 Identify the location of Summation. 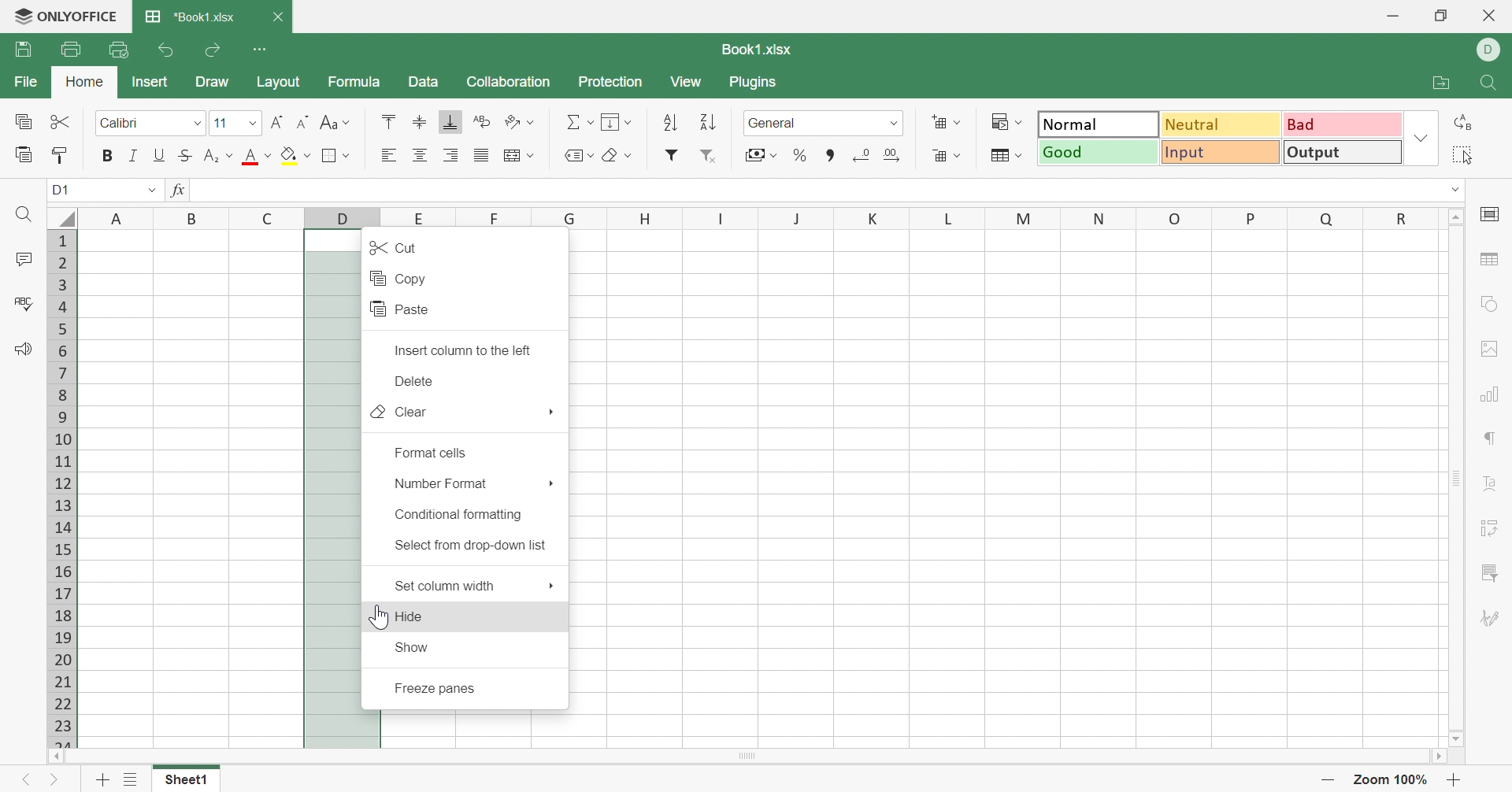
(572, 120).